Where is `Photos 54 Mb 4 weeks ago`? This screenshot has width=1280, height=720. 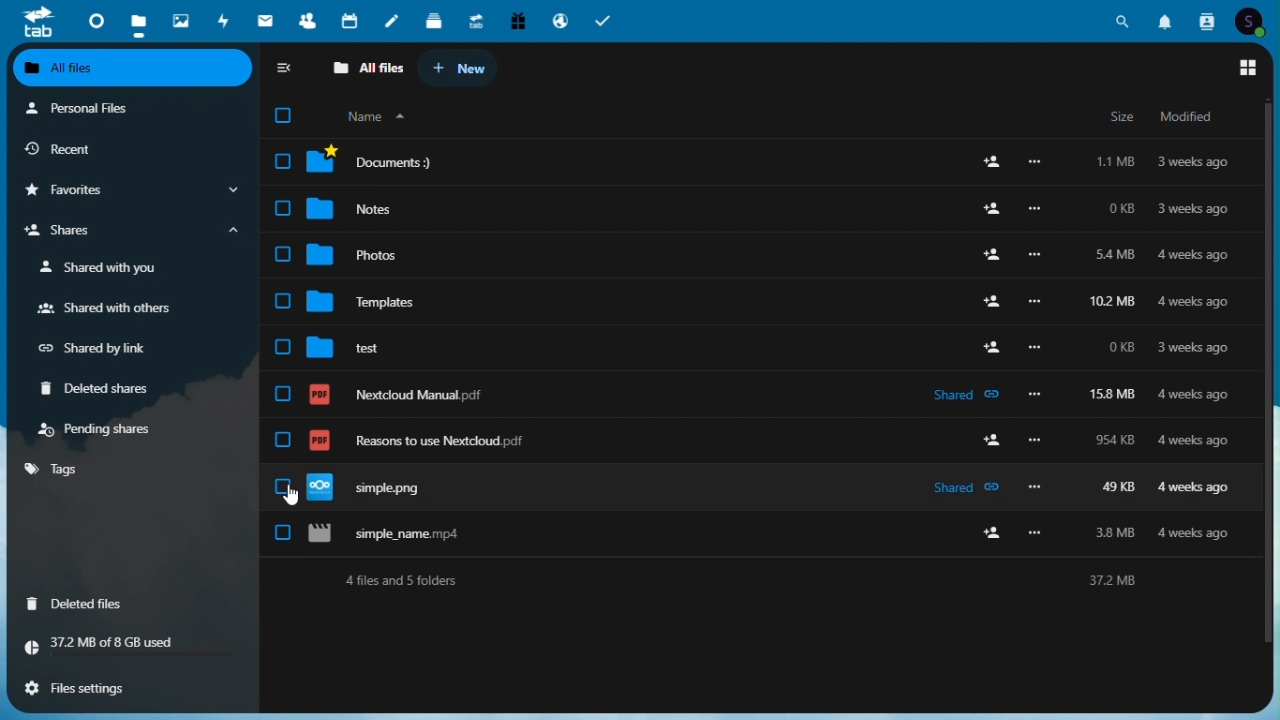
Photos 54 Mb 4 weeks ago is located at coordinates (759, 249).